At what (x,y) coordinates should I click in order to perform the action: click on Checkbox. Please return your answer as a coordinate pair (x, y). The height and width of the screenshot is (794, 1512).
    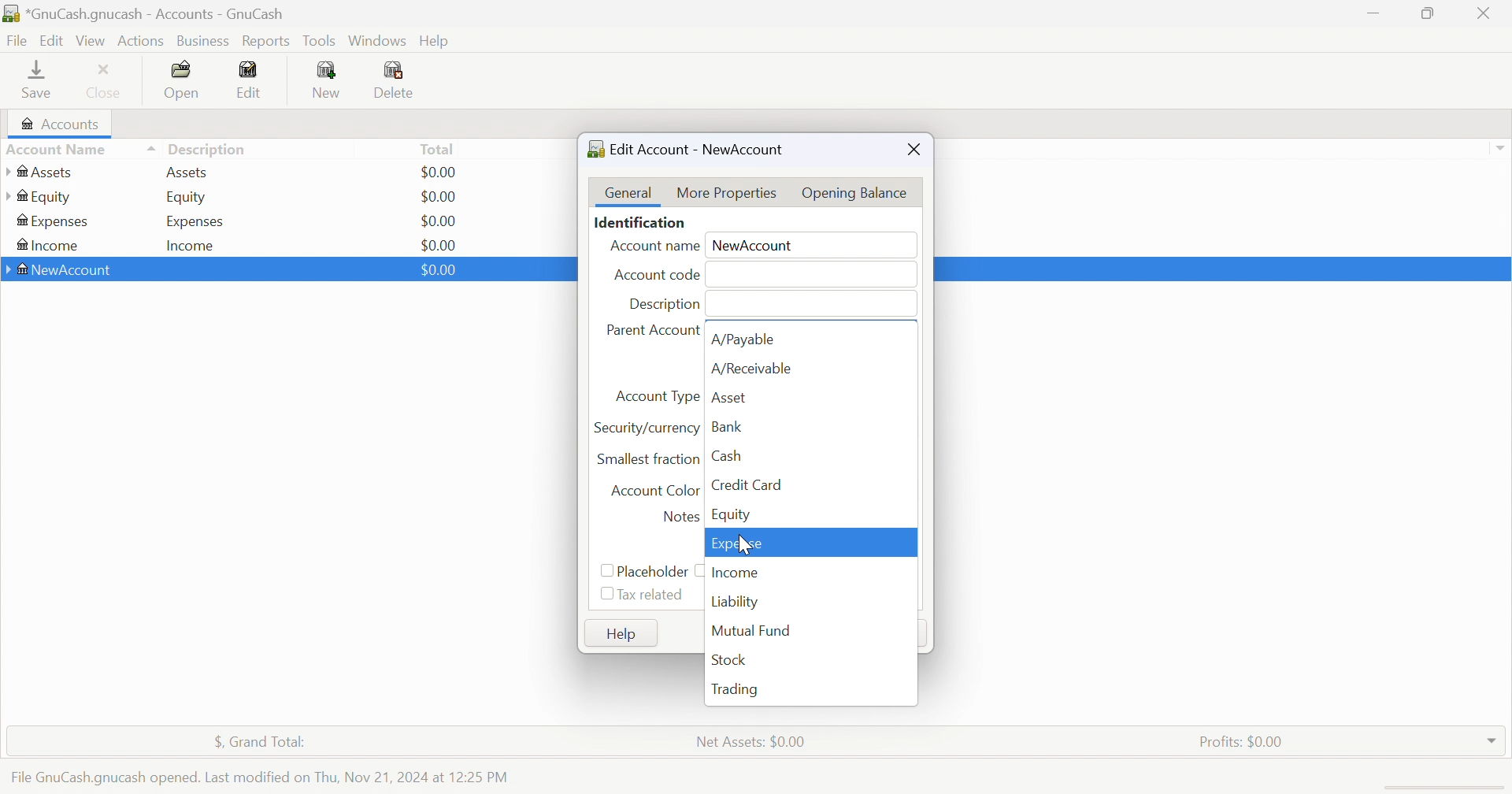
    Looking at the image, I should click on (599, 570).